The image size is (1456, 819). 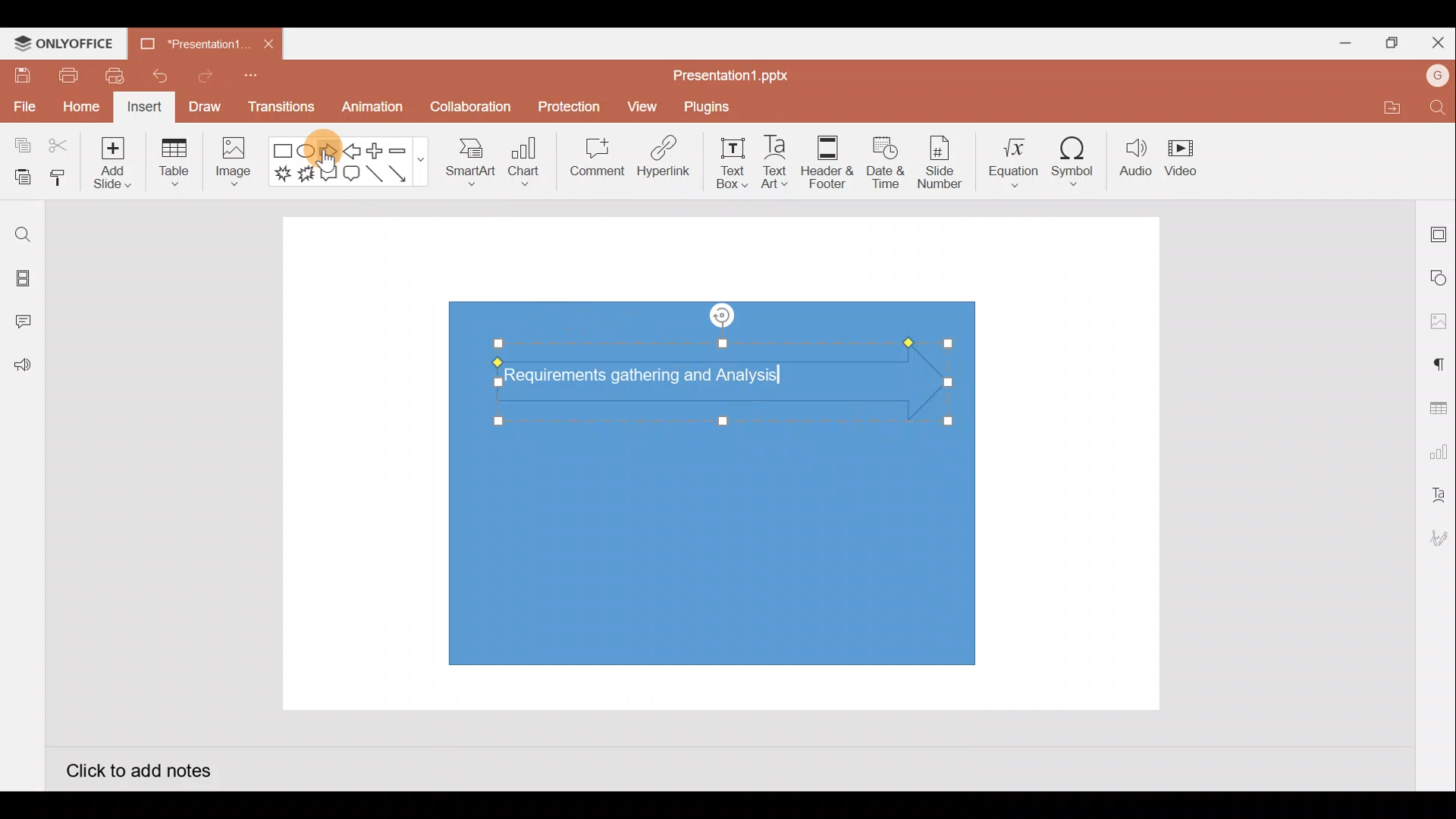 I want to click on Right arrow, so click(x=328, y=152).